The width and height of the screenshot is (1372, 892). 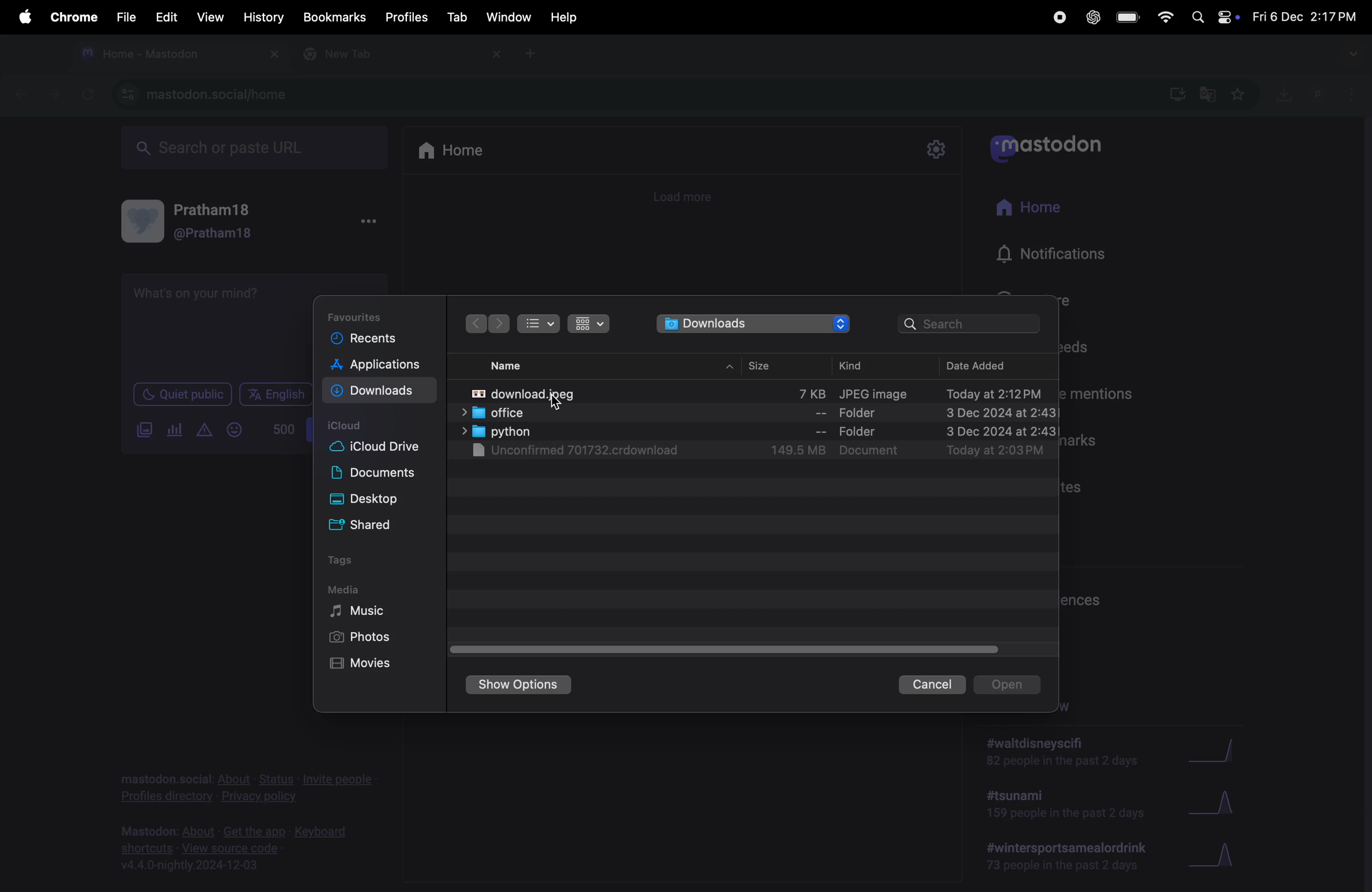 What do you see at coordinates (1095, 18) in the screenshot?
I see `chatgpt` at bounding box center [1095, 18].